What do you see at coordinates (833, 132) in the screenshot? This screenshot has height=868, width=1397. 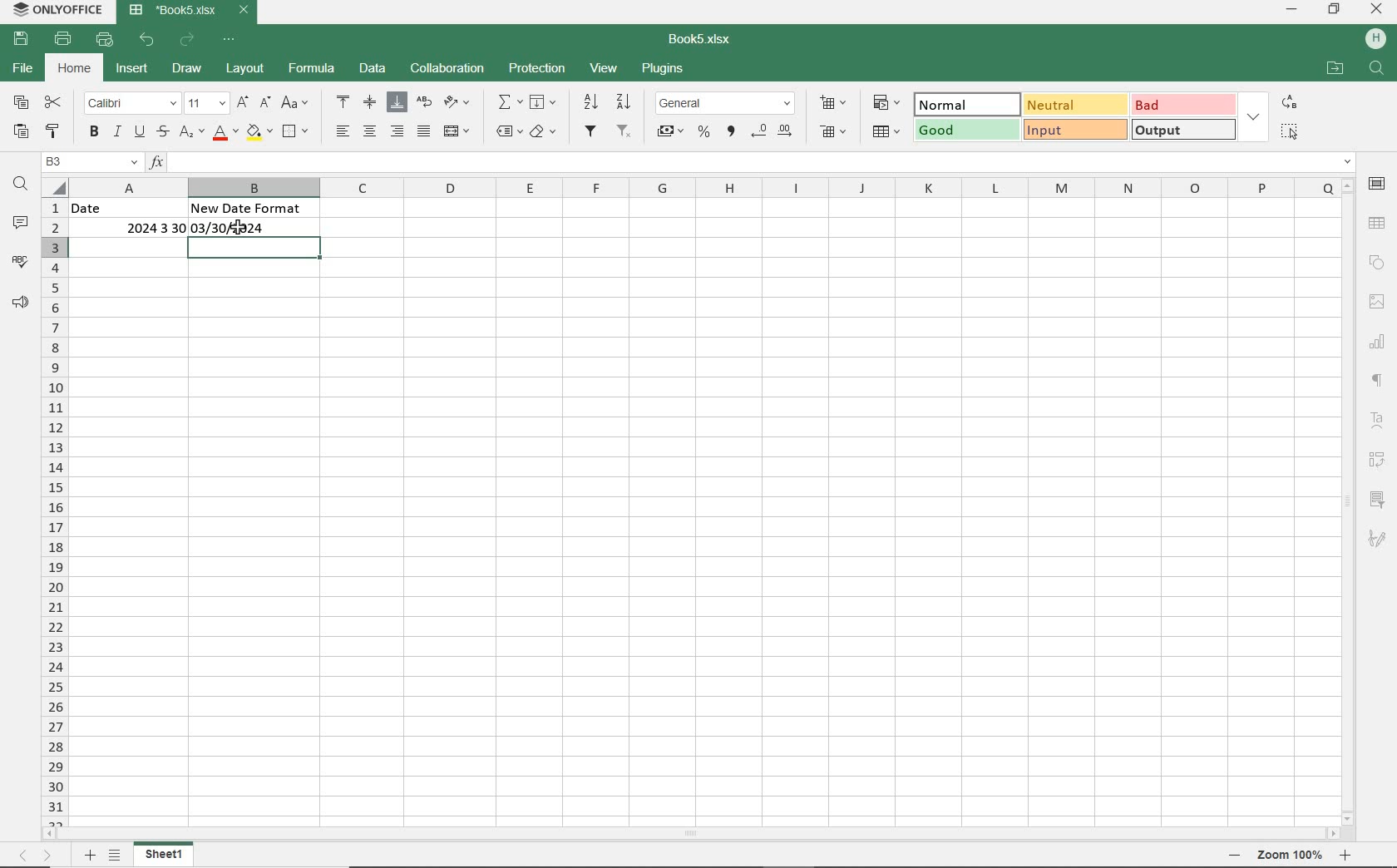 I see `DELETE CELLS` at bounding box center [833, 132].